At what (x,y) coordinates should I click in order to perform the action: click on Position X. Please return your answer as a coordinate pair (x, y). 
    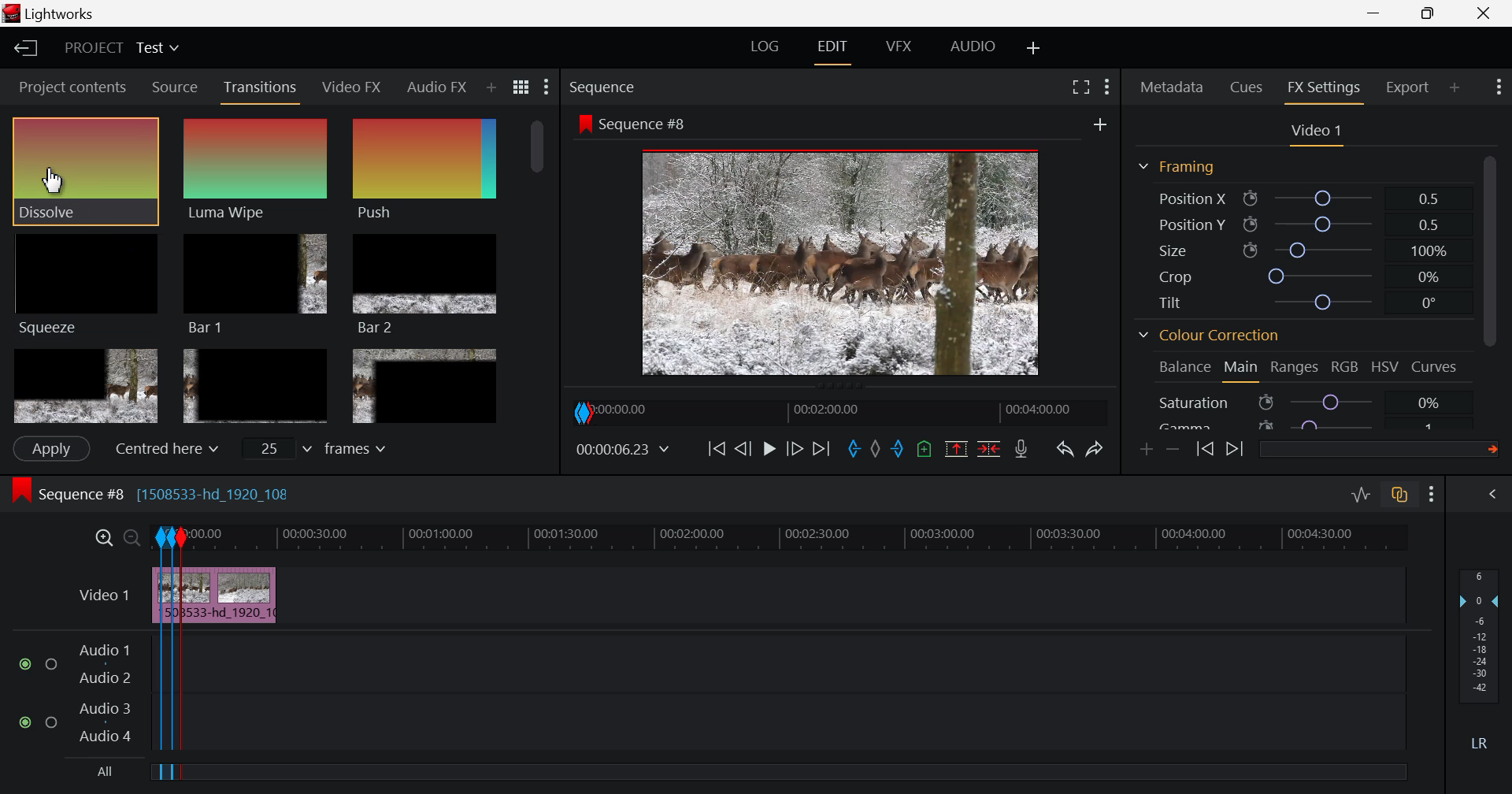
    Looking at the image, I should click on (1303, 198).